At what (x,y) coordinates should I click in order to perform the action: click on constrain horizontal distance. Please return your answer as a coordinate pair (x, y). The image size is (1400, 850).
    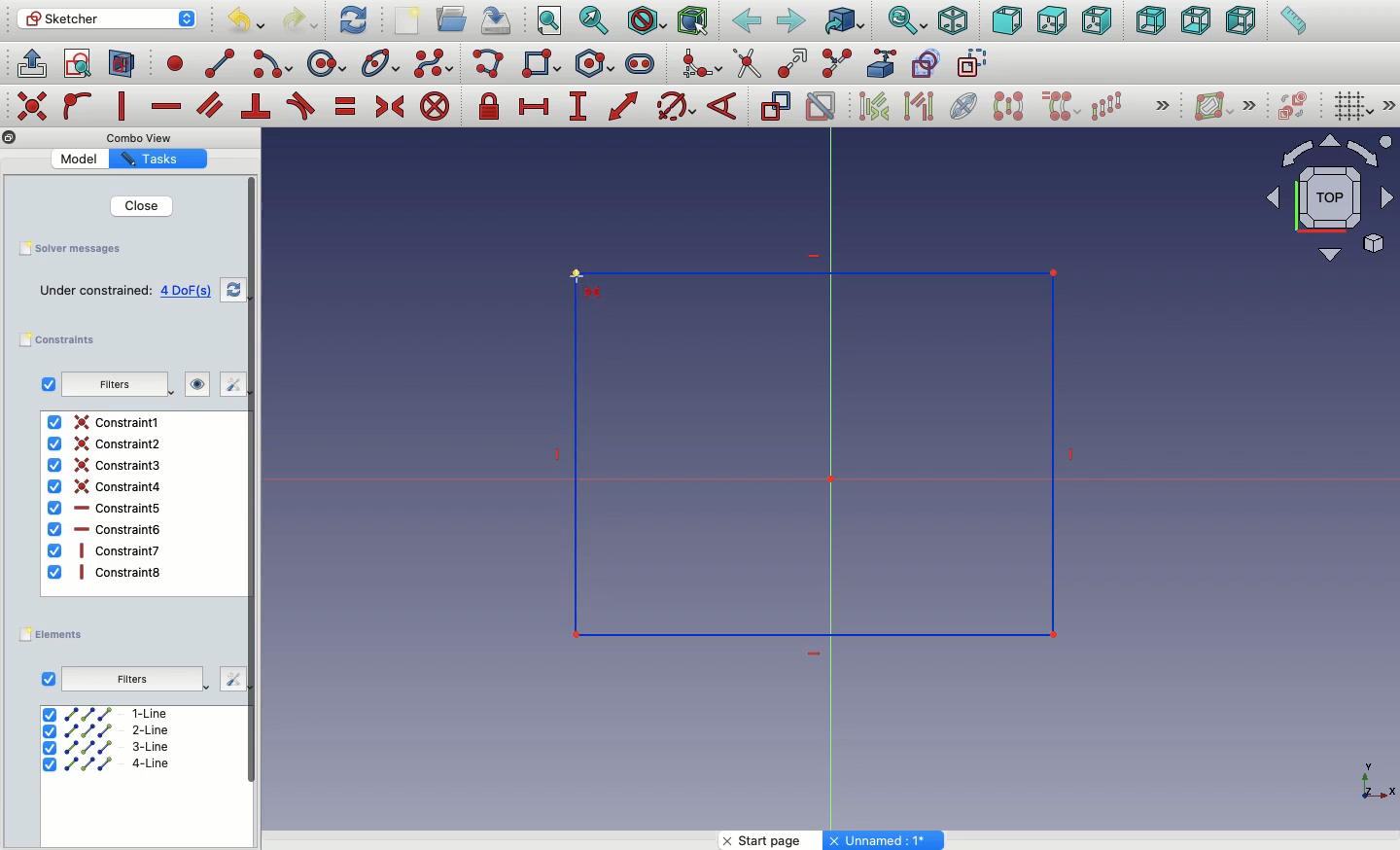
    Looking at the image, I should click on (535, 105).